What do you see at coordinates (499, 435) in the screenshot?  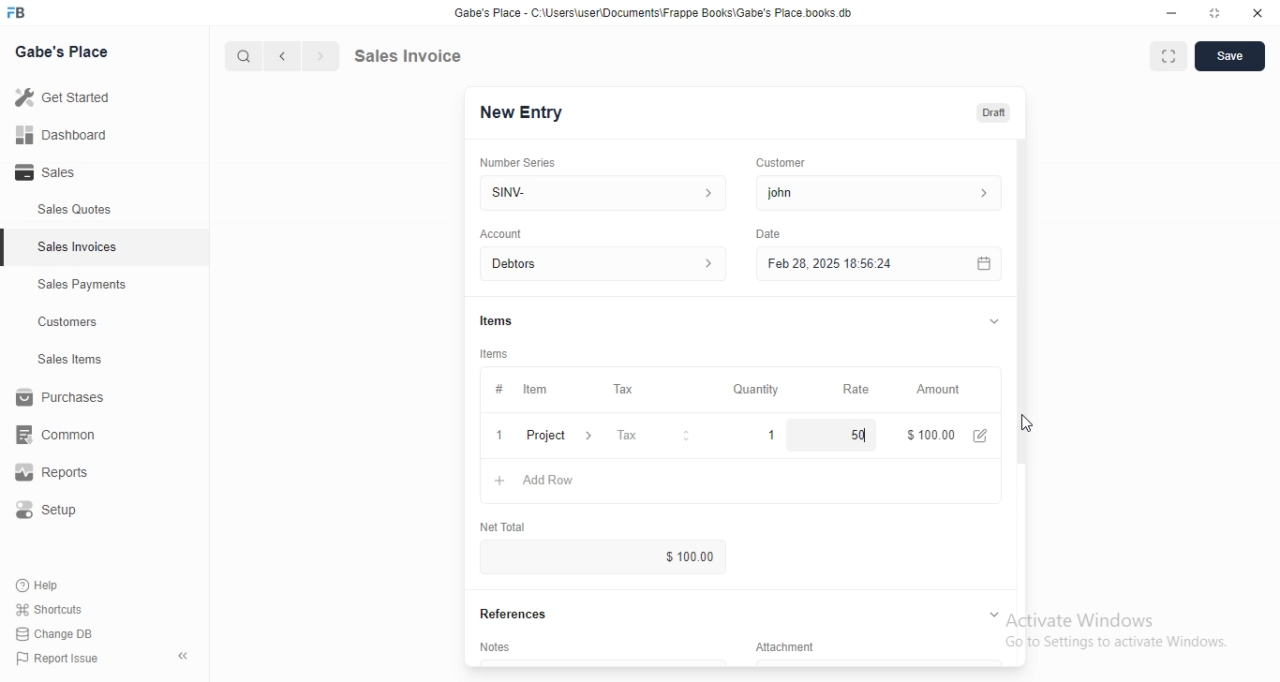 I see `1` at bounding box center [499, 435].